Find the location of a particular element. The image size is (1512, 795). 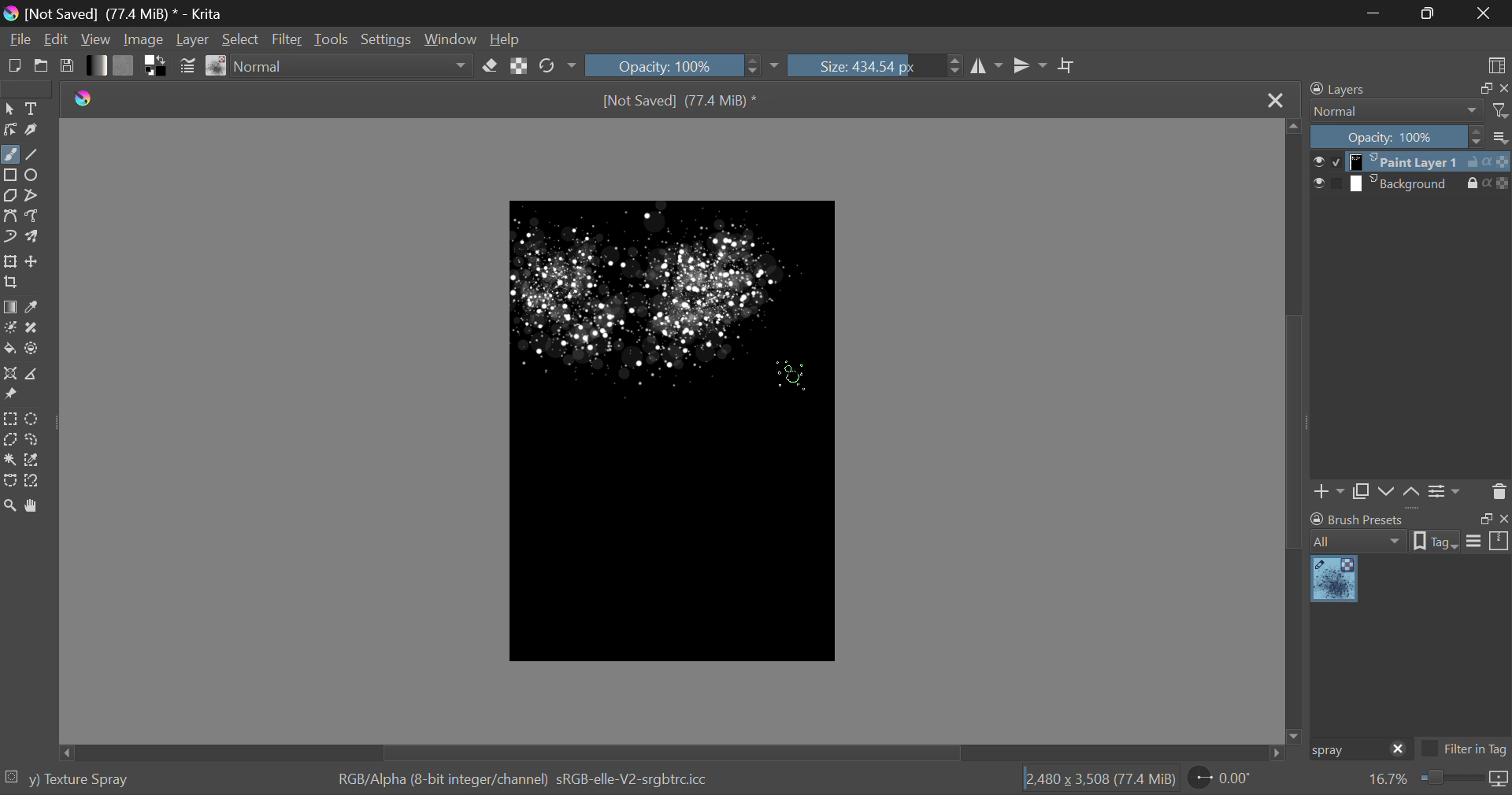

File is located at coordinates (19, 38).